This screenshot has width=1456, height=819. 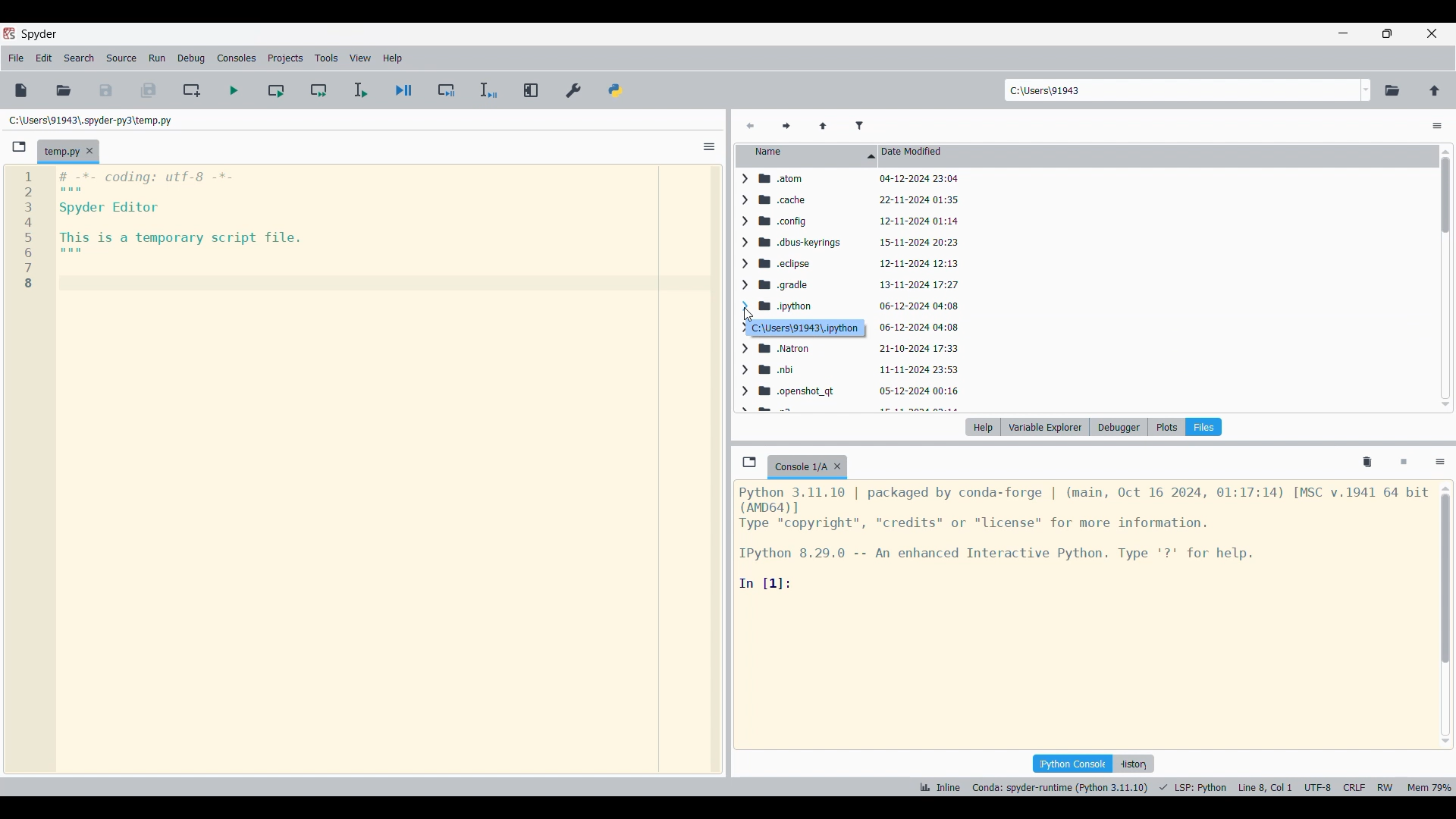 I want to click on Files highlighted as current selection, so click(x=1203, y=427).